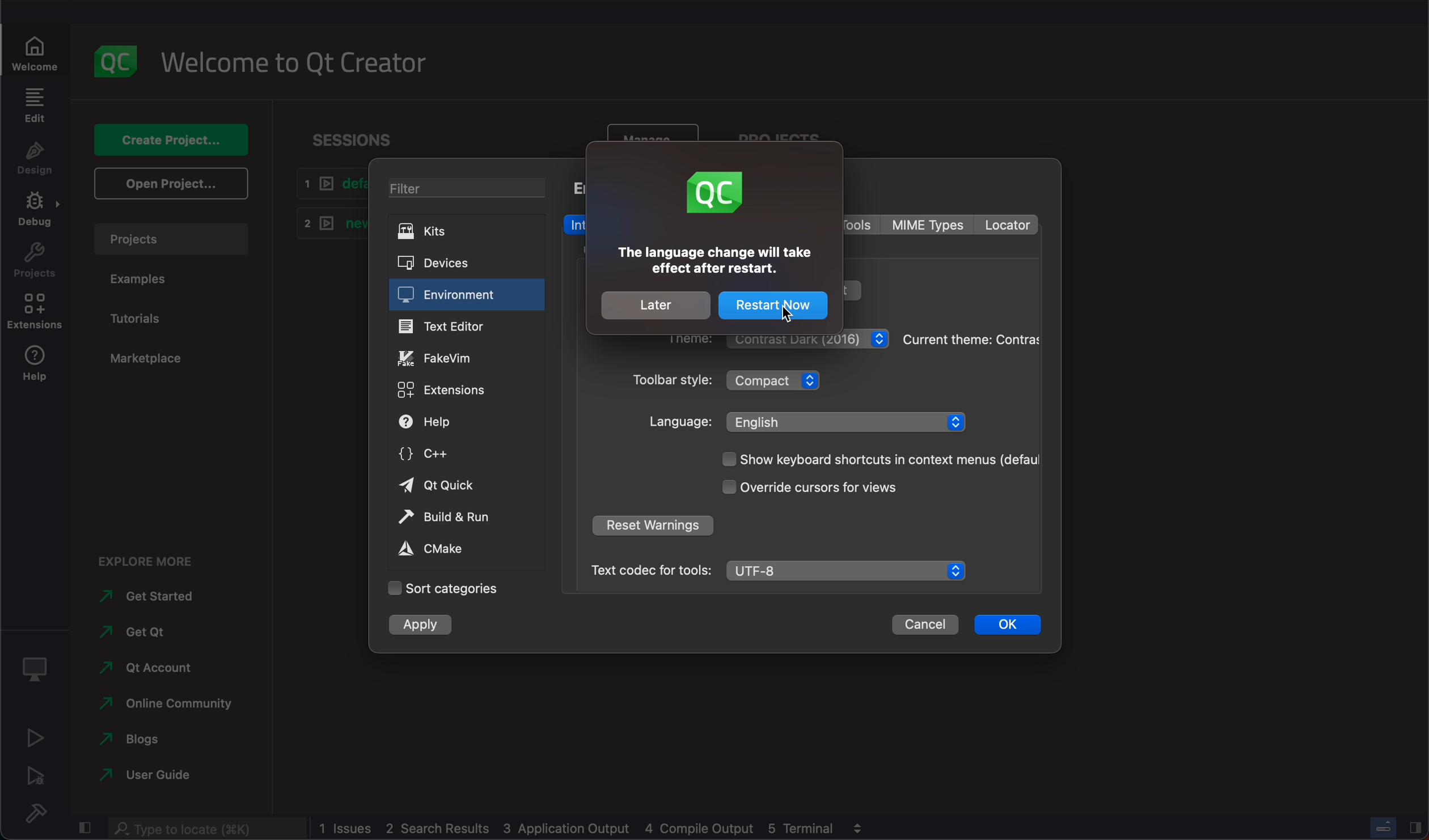 The height and width of the screenshot is (840, 1429). I want to click on categories, so click(450, 588).